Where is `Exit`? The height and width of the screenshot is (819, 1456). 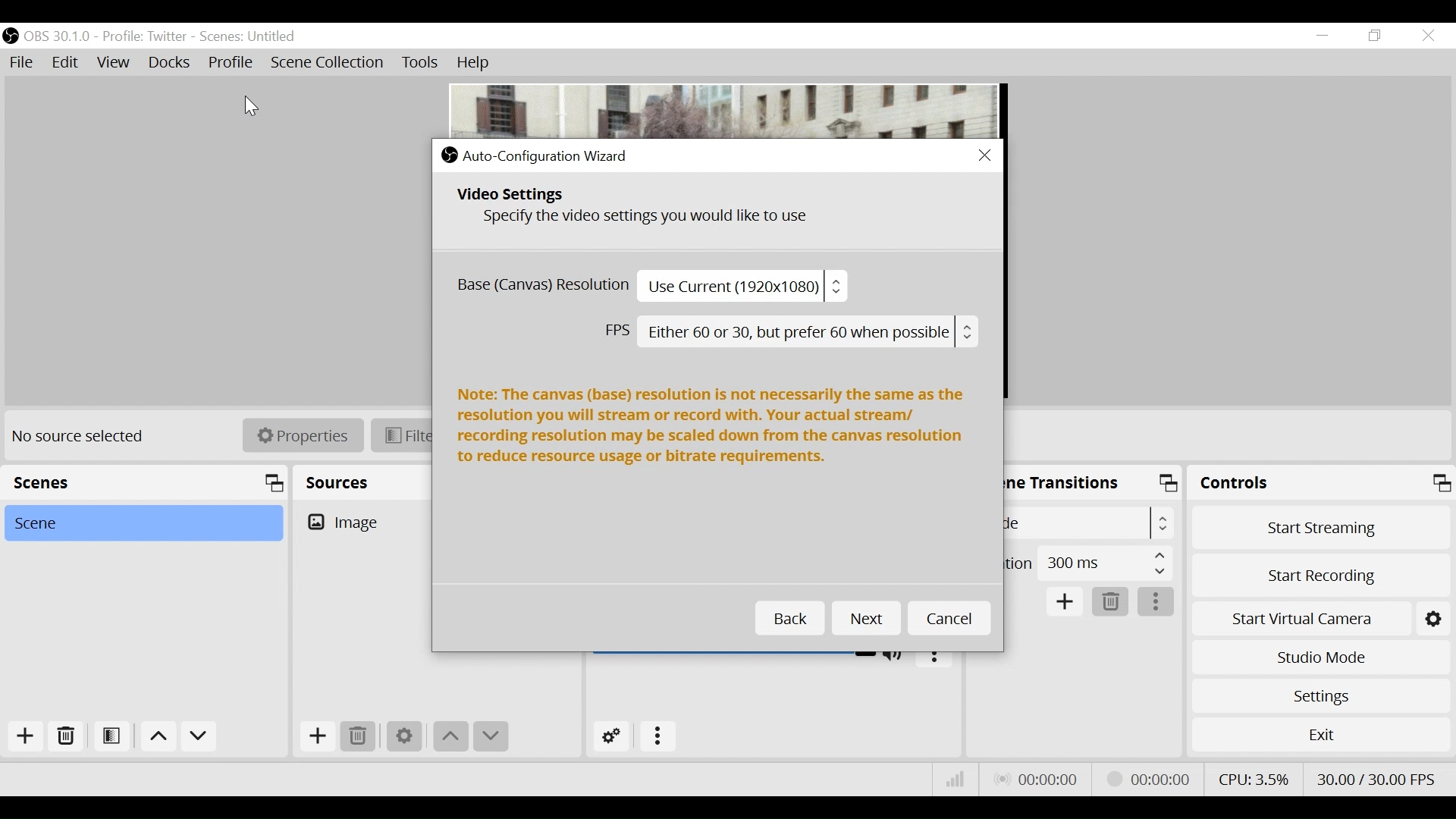
Exit is located at coordinates (1319, 734).